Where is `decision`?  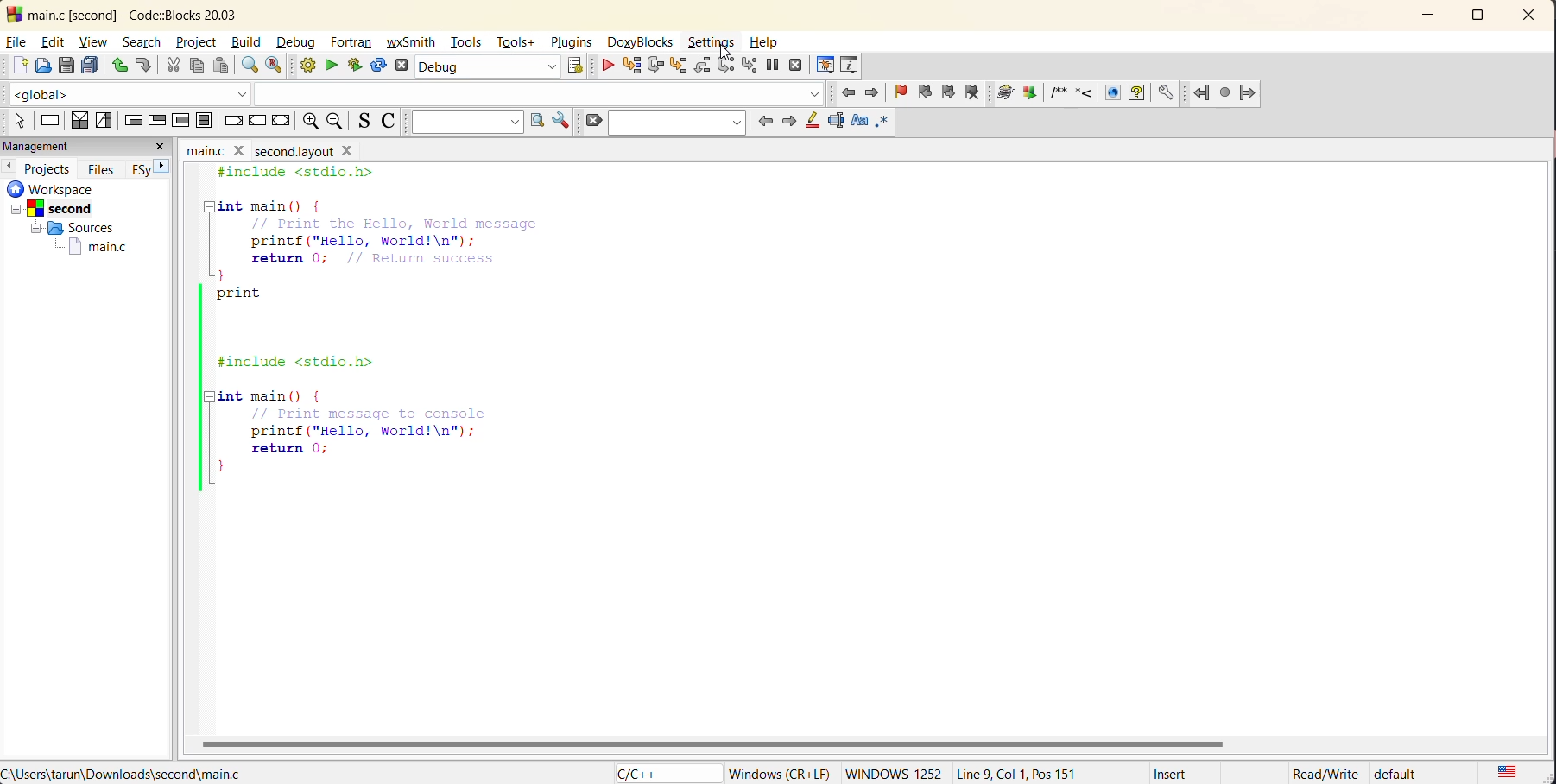 decision is located at coordinates (79, 121).